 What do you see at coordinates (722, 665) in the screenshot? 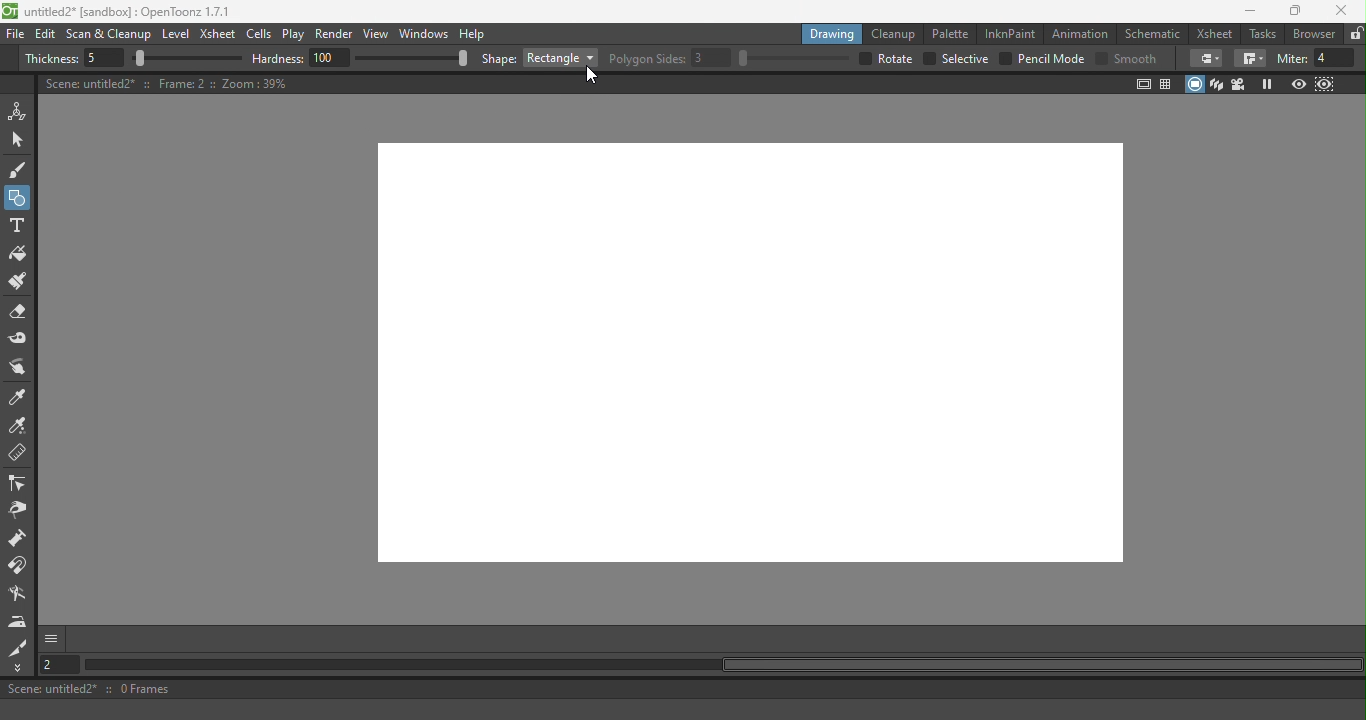
I see `Horizontal scroll bar` at bounding box center [722, 665].